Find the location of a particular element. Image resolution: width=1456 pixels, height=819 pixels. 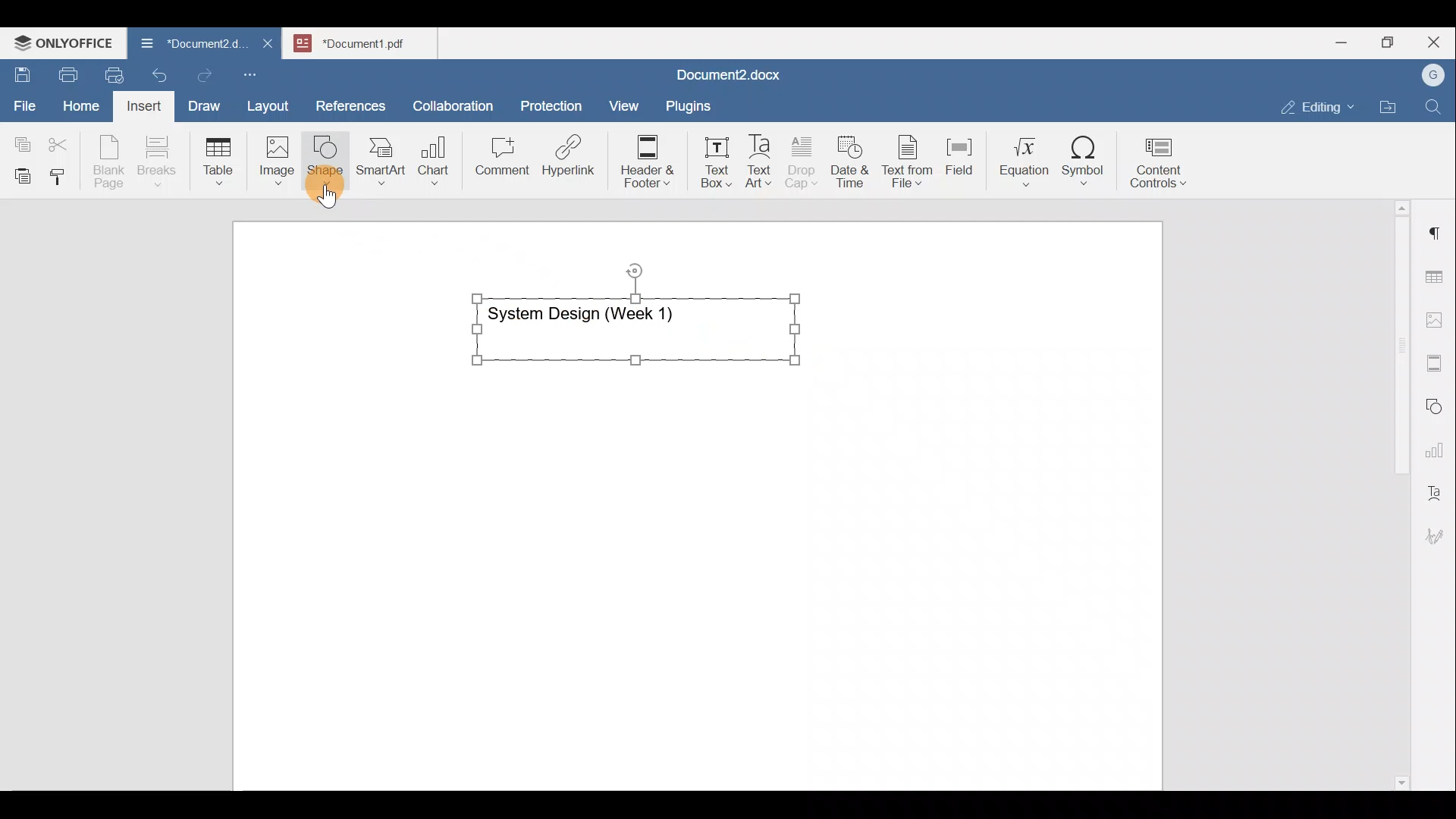

SmartArt is located at coordinates (378, 158).